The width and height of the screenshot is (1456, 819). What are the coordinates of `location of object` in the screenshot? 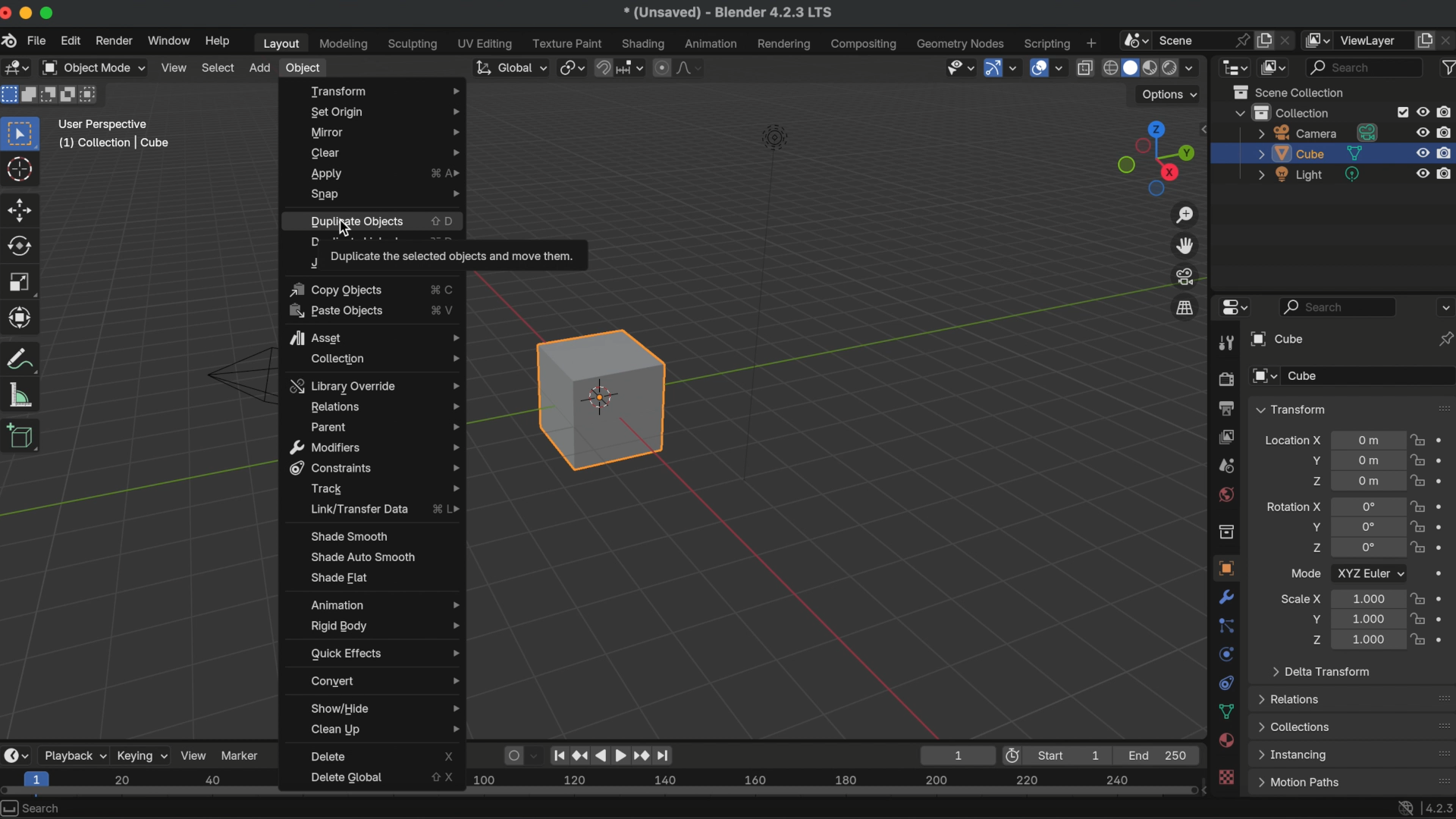 It's located at (1369, 440).